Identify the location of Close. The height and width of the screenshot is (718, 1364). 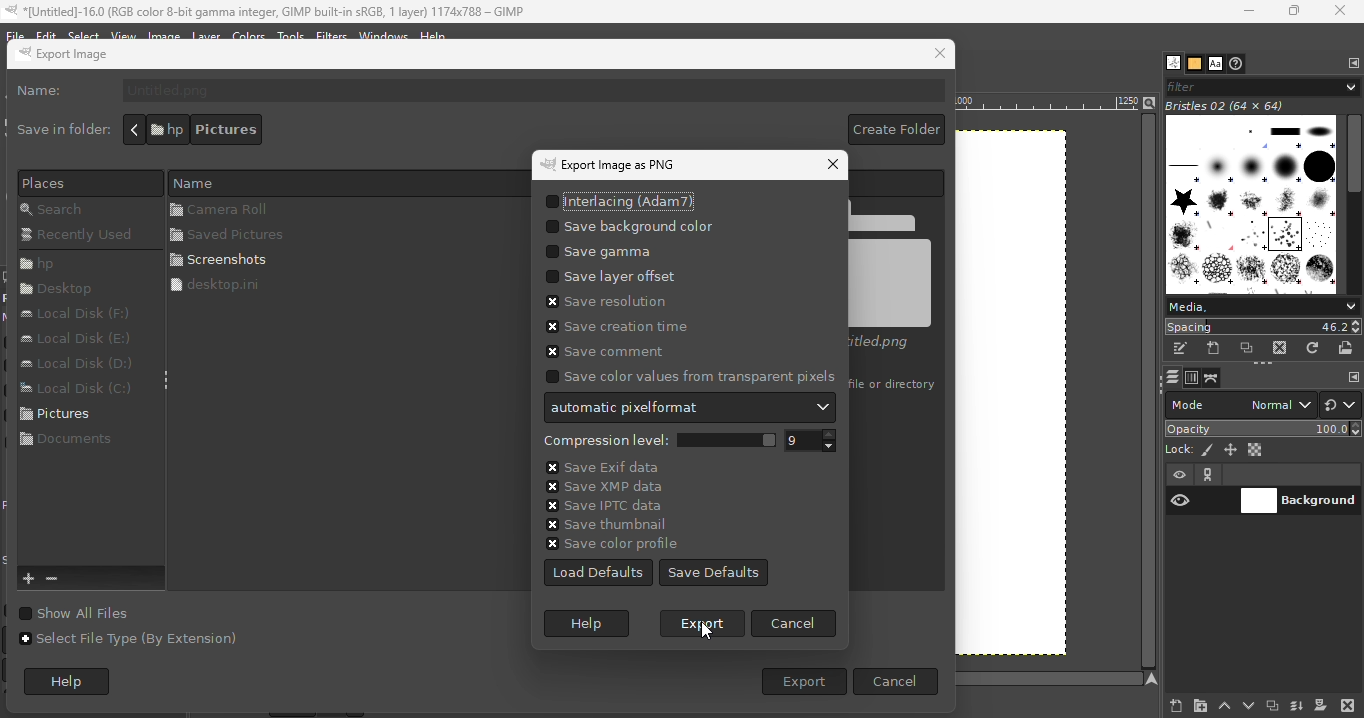
(1341, 11).